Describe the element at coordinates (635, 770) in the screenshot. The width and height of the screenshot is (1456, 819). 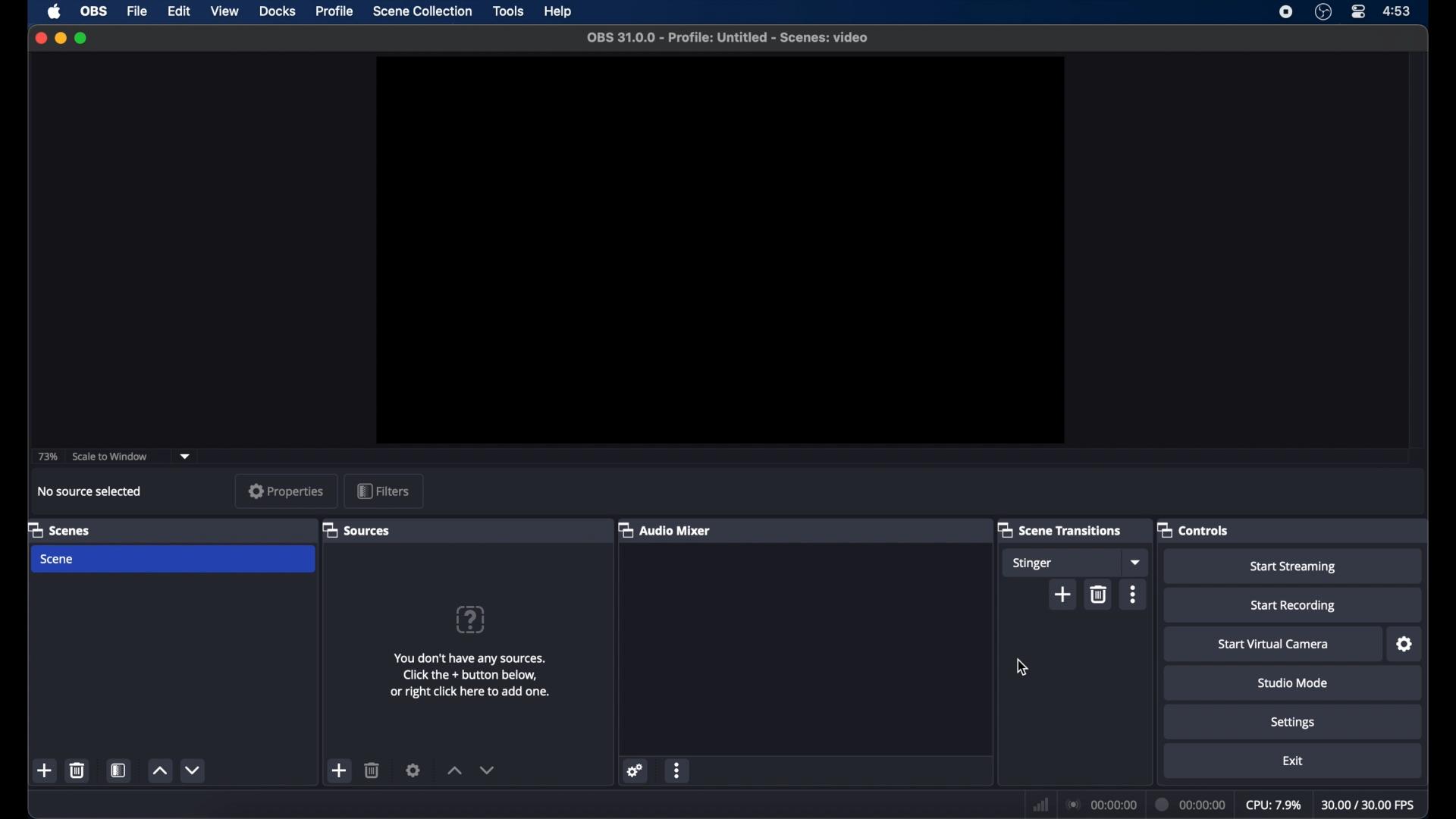
I see `settings` at that location.